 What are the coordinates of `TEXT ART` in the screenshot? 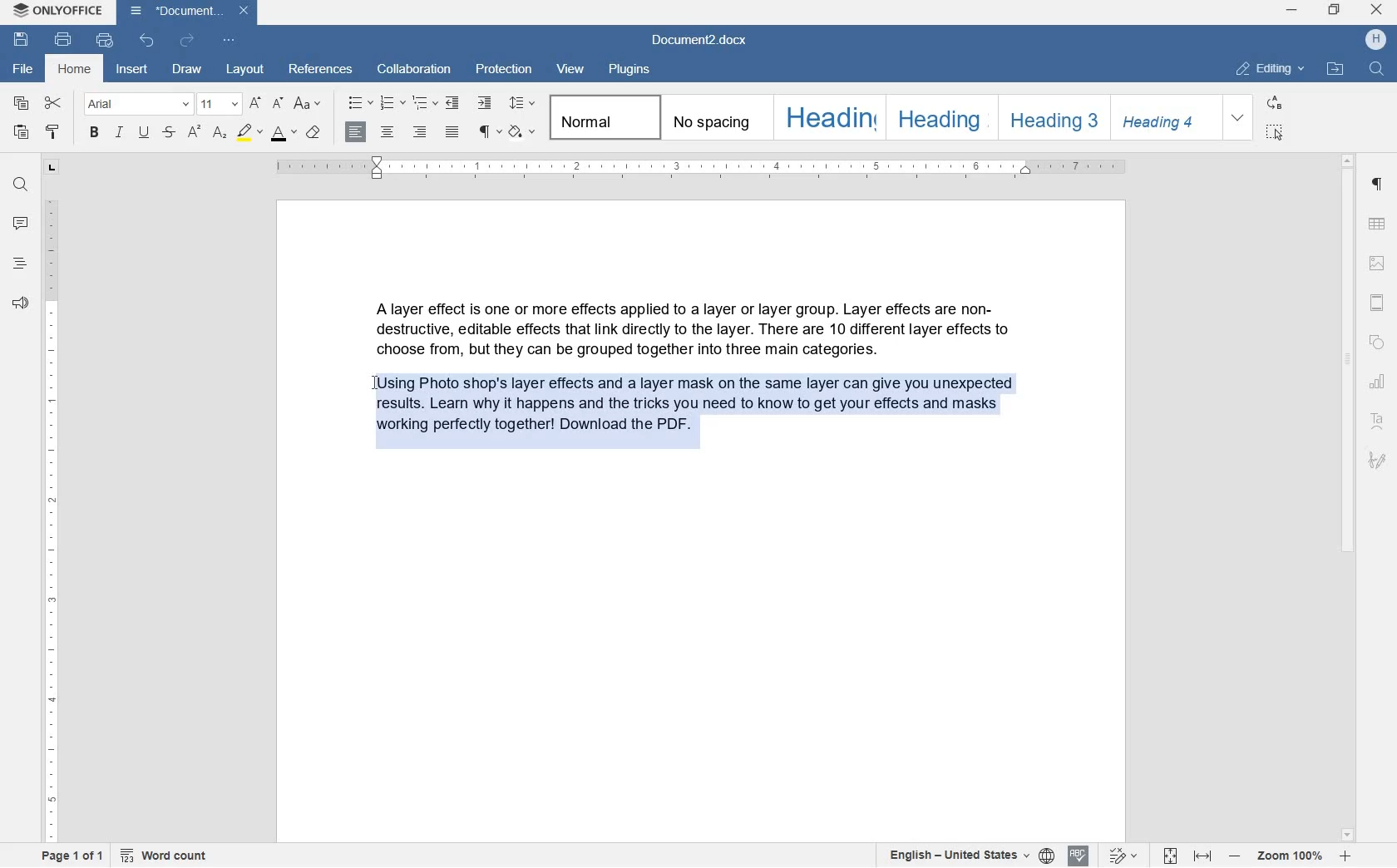 It's located at (1376, 422).